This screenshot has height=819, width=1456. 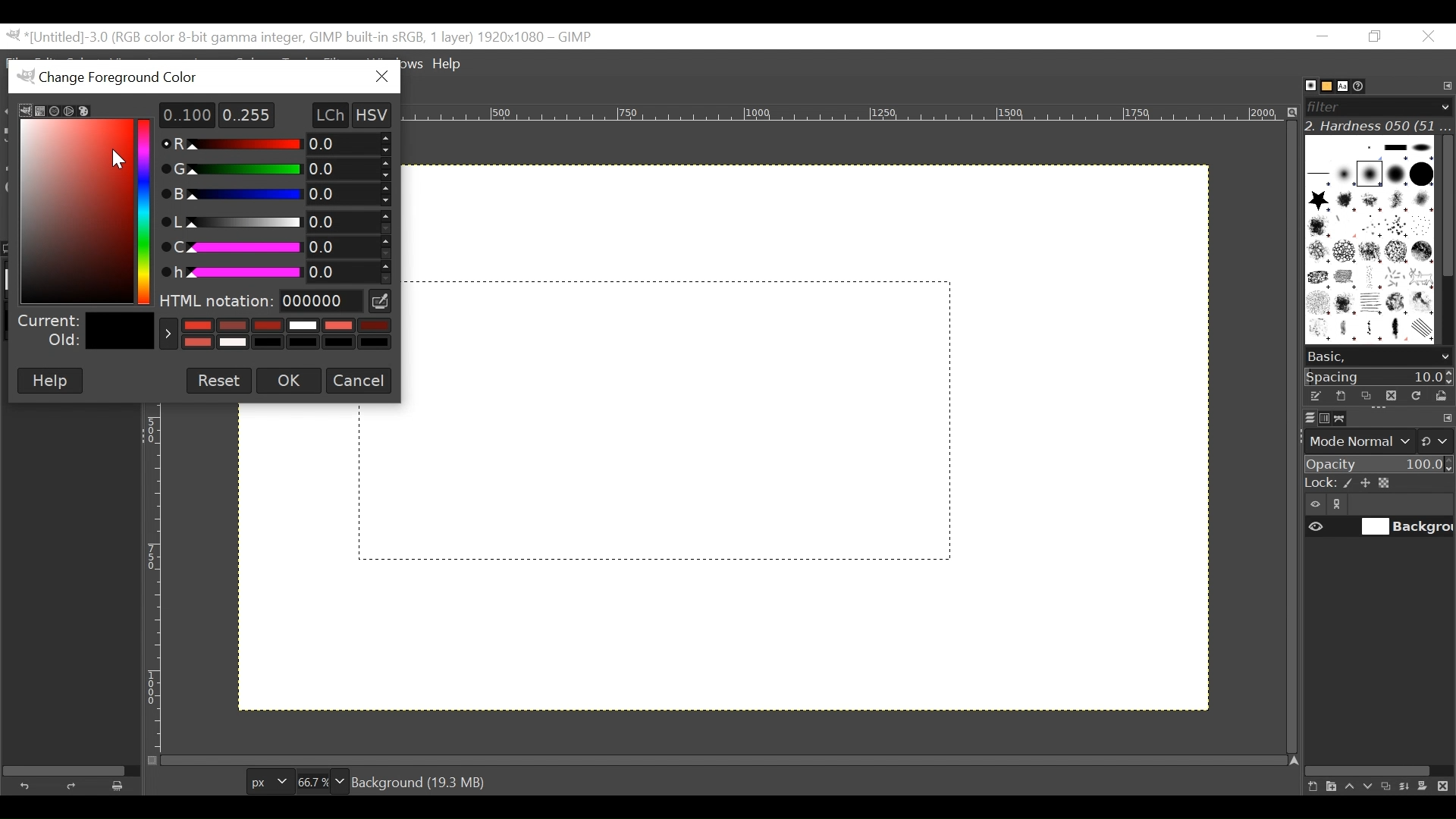 What do you see at coordinates (1414, 394) in the screenshot?
I see `Refresh` at bounding box center [1414, 394].